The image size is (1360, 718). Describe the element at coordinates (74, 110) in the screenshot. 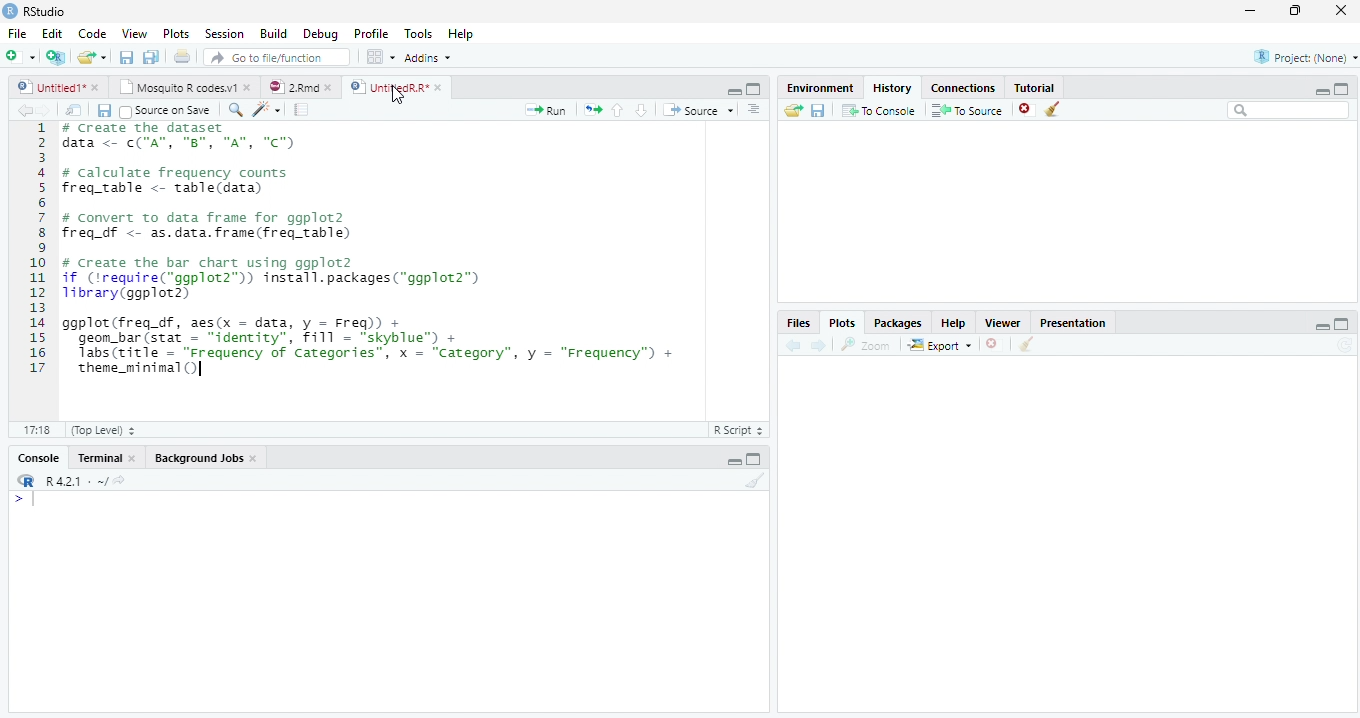

I see `Show in new window` at that location.